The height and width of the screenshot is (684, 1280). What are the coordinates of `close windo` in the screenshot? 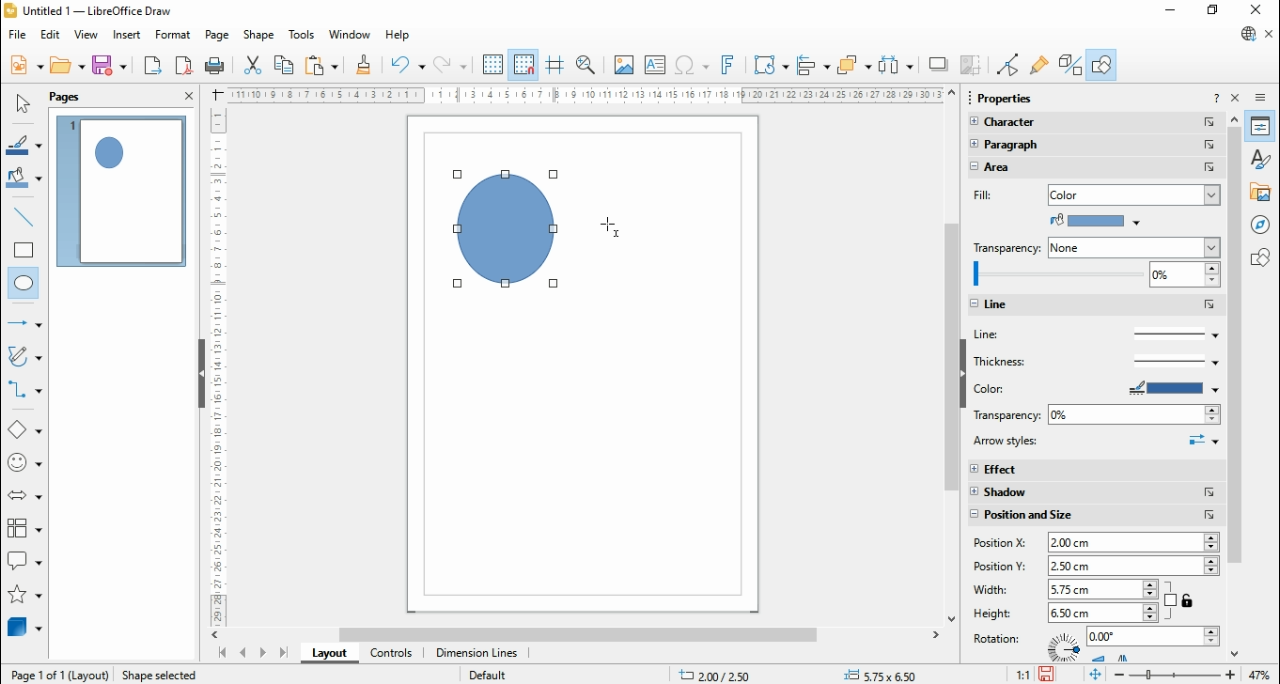 It's located at (1259, 11).